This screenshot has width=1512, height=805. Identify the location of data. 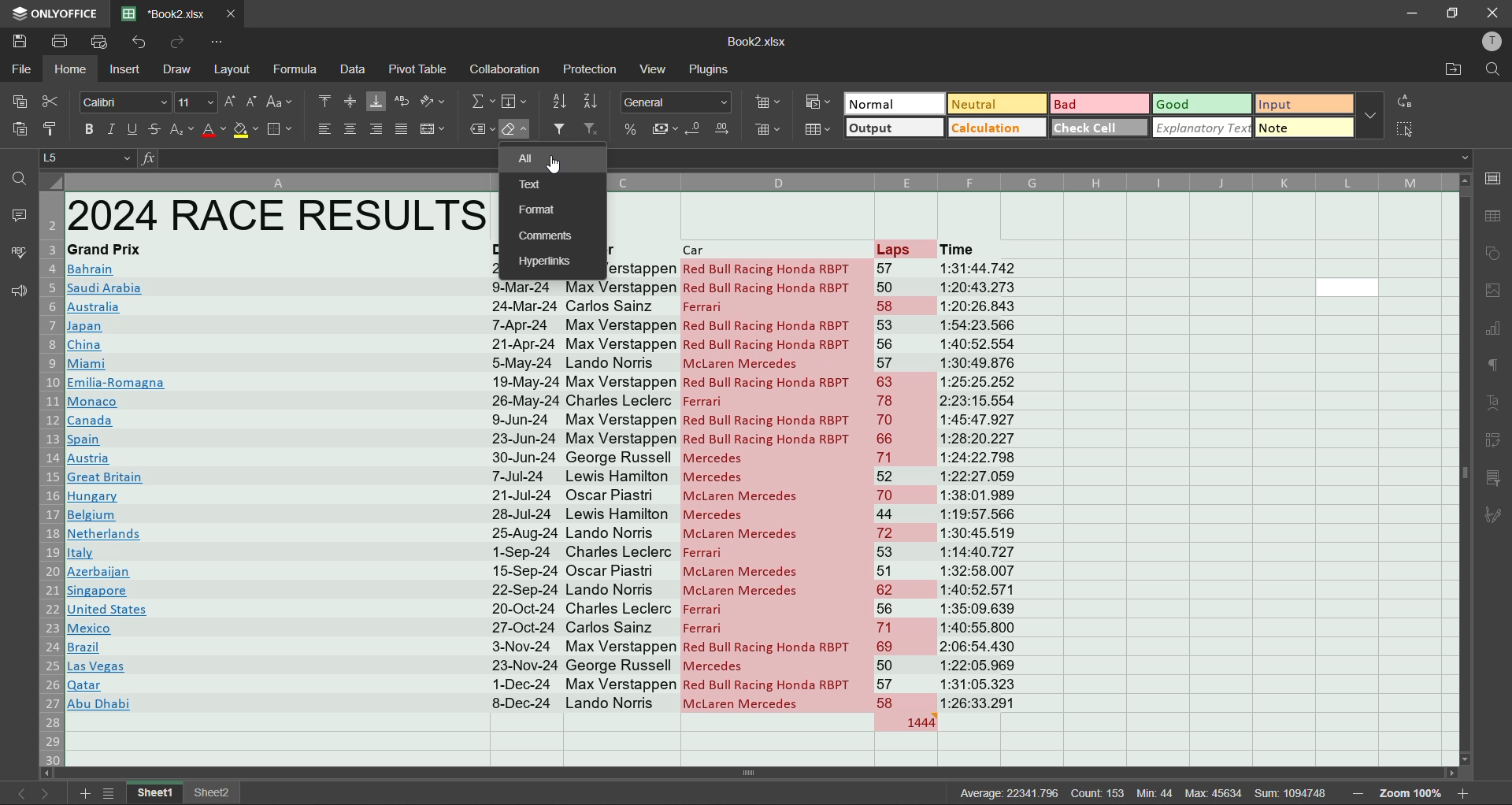
(354, 69).